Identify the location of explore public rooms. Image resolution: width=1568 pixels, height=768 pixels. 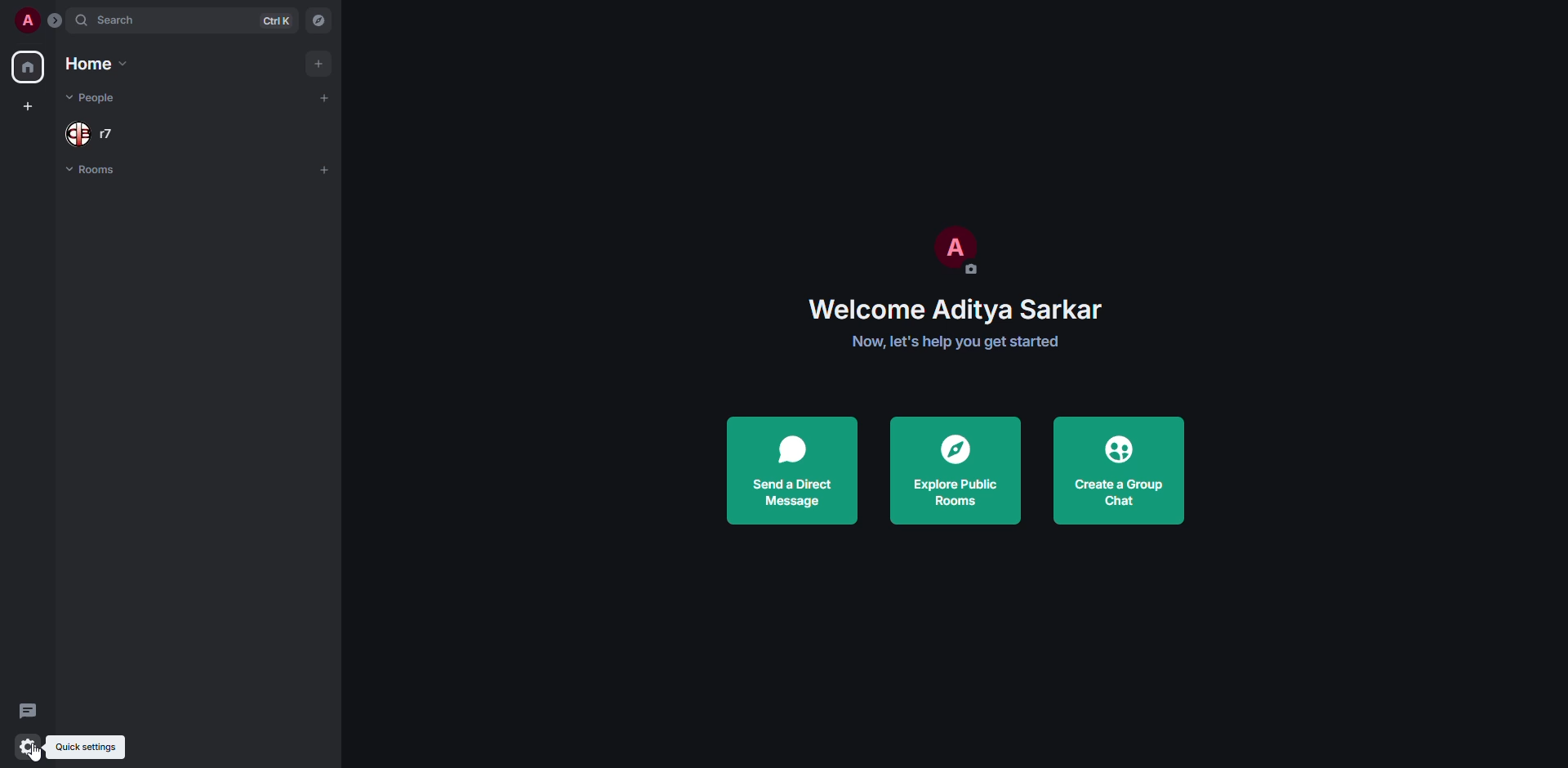
(955, 473).